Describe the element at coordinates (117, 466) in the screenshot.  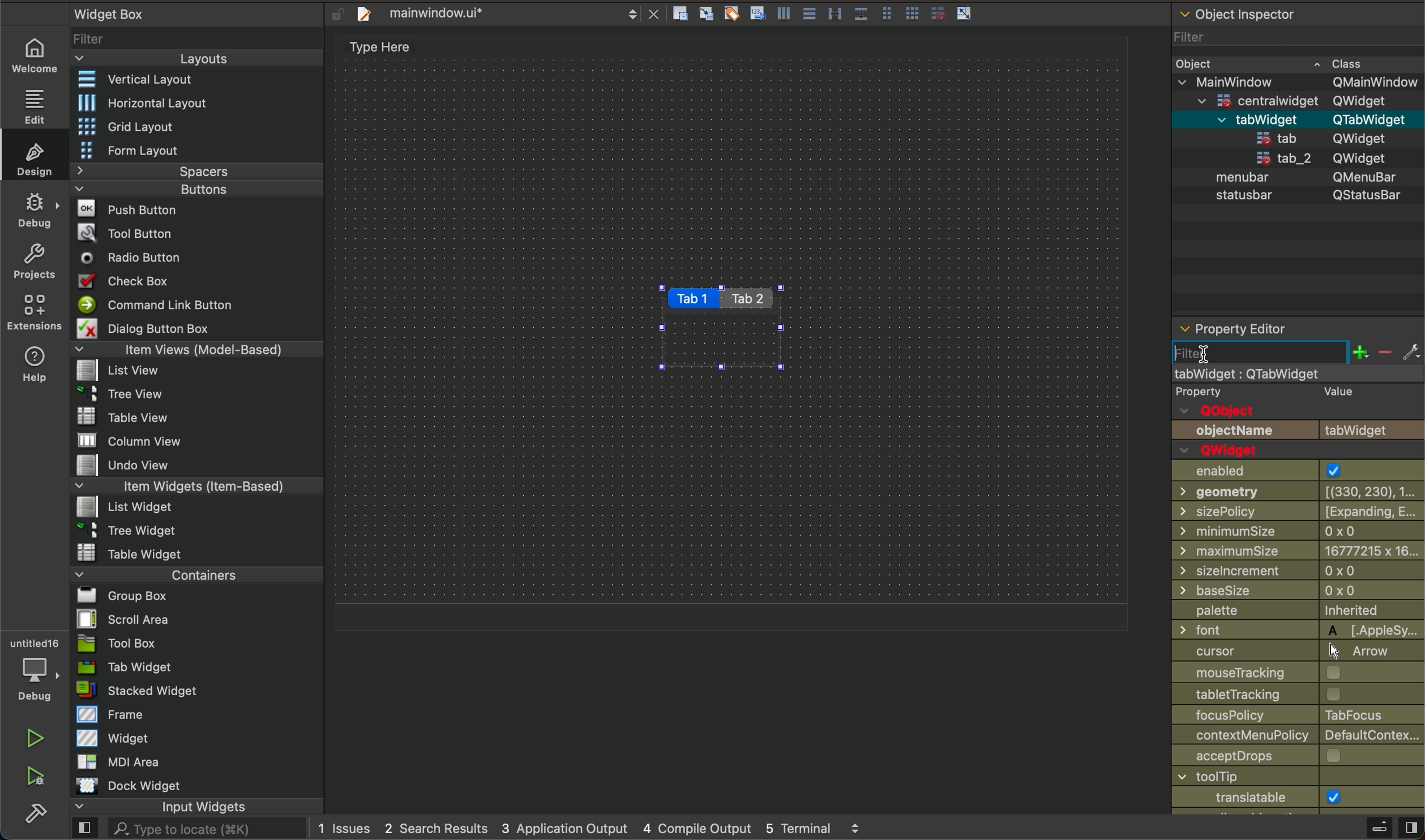
I see `Undo View` at that location.